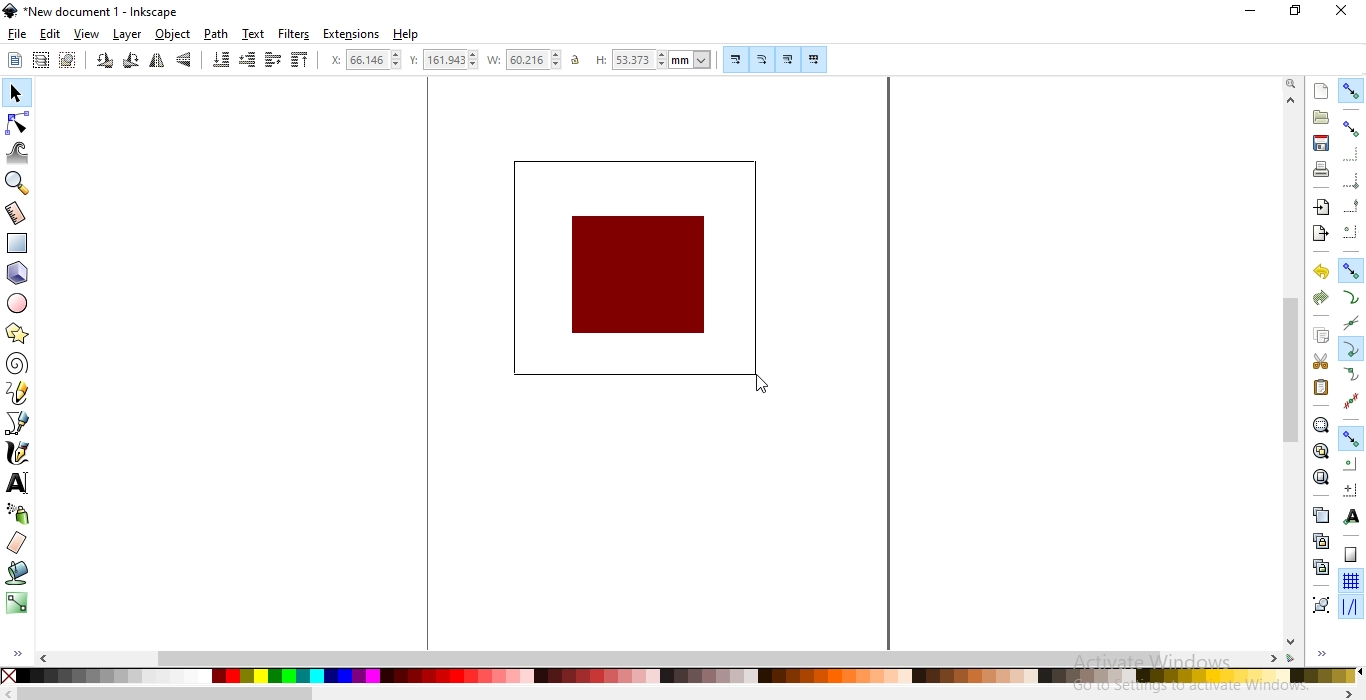  Describe the element at coordinates (1321, 424) in the screenshot. I see `zoom to fit selection` at that location.